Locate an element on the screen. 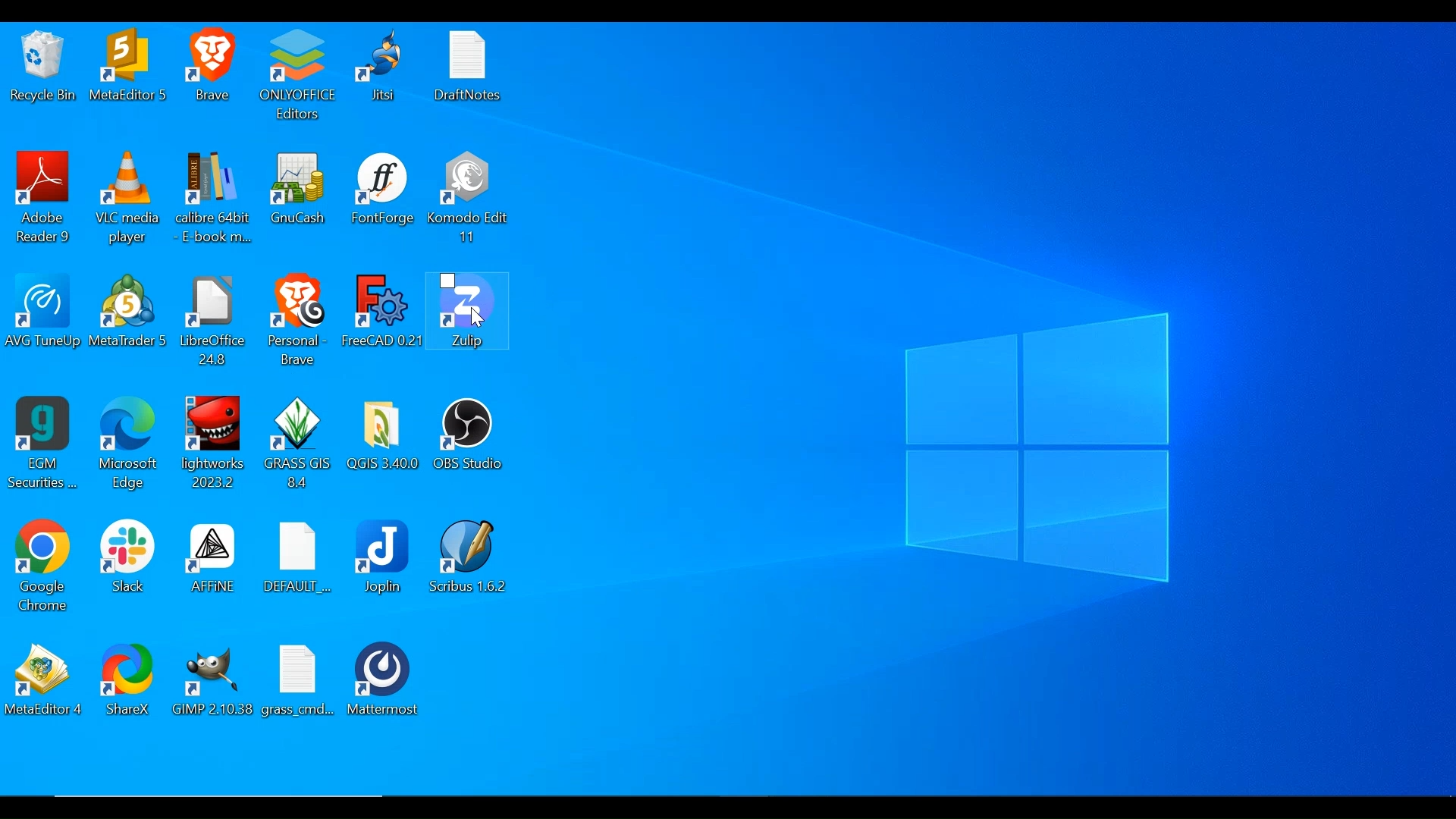  LibreOffice Desktop Icon is located at coordinates (215, 319).